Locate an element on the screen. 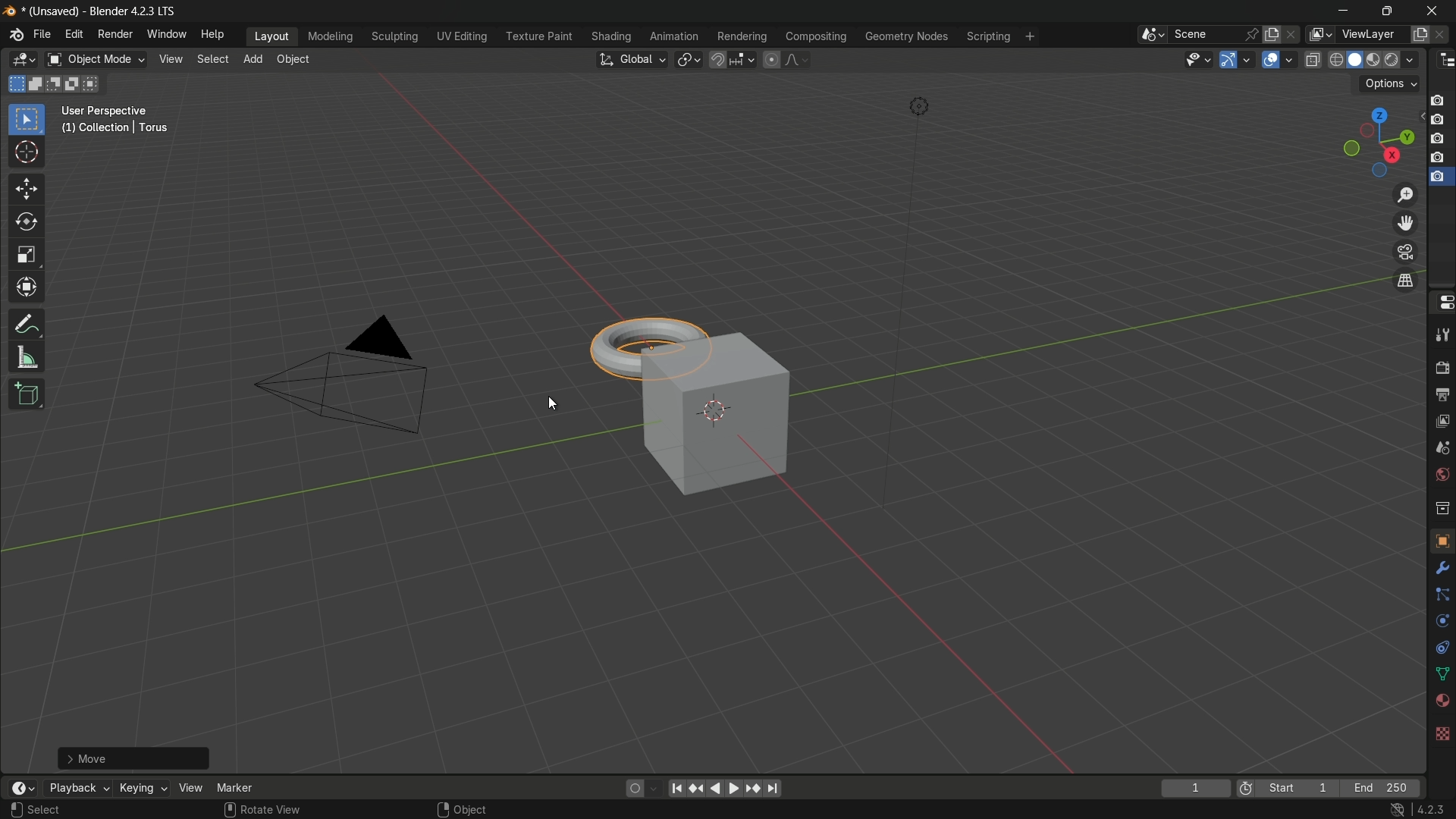  animation is located at coordinates (674, 36).